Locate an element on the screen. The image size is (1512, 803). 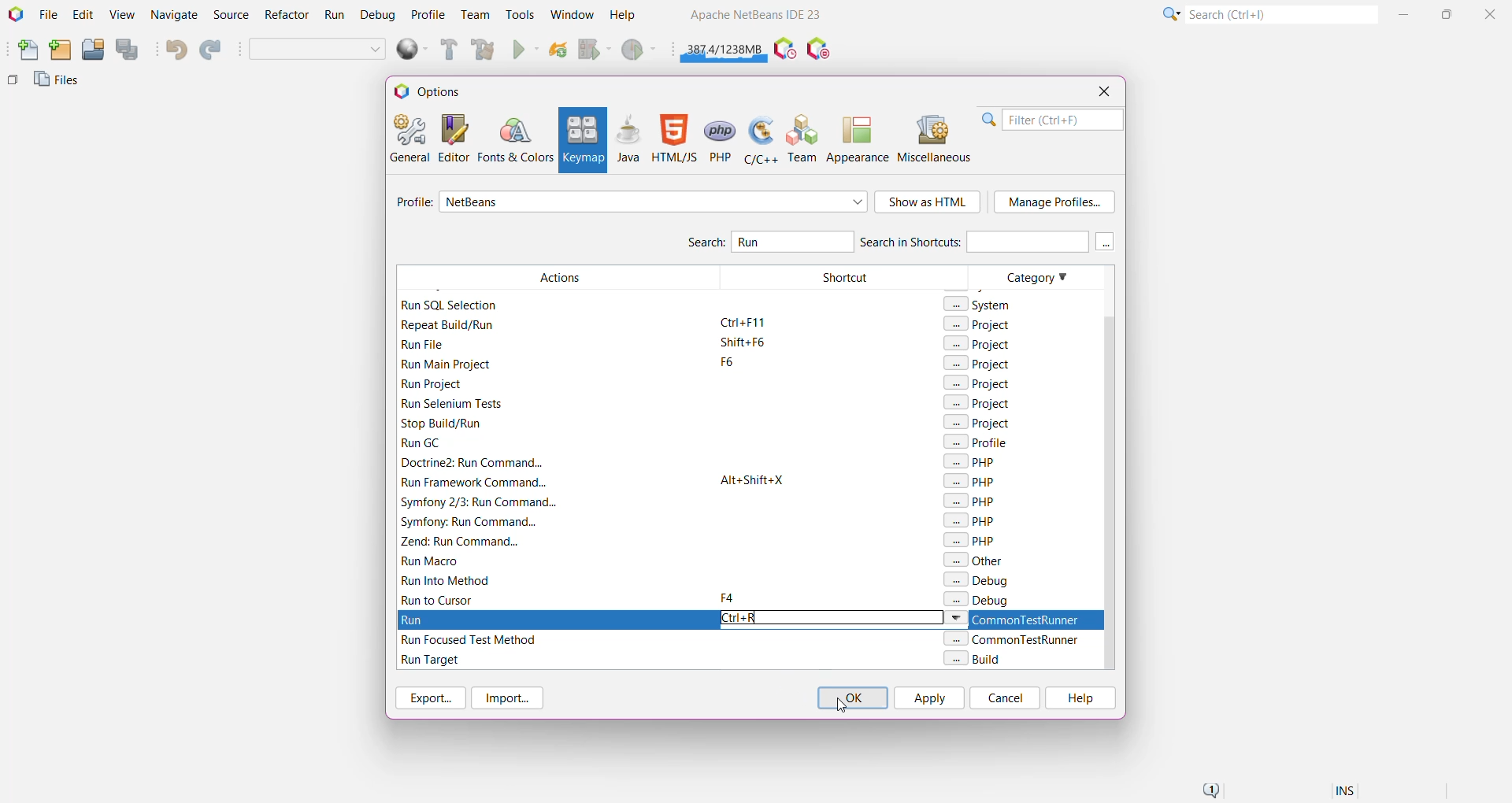
PHP is located at coordinates (721, 139).